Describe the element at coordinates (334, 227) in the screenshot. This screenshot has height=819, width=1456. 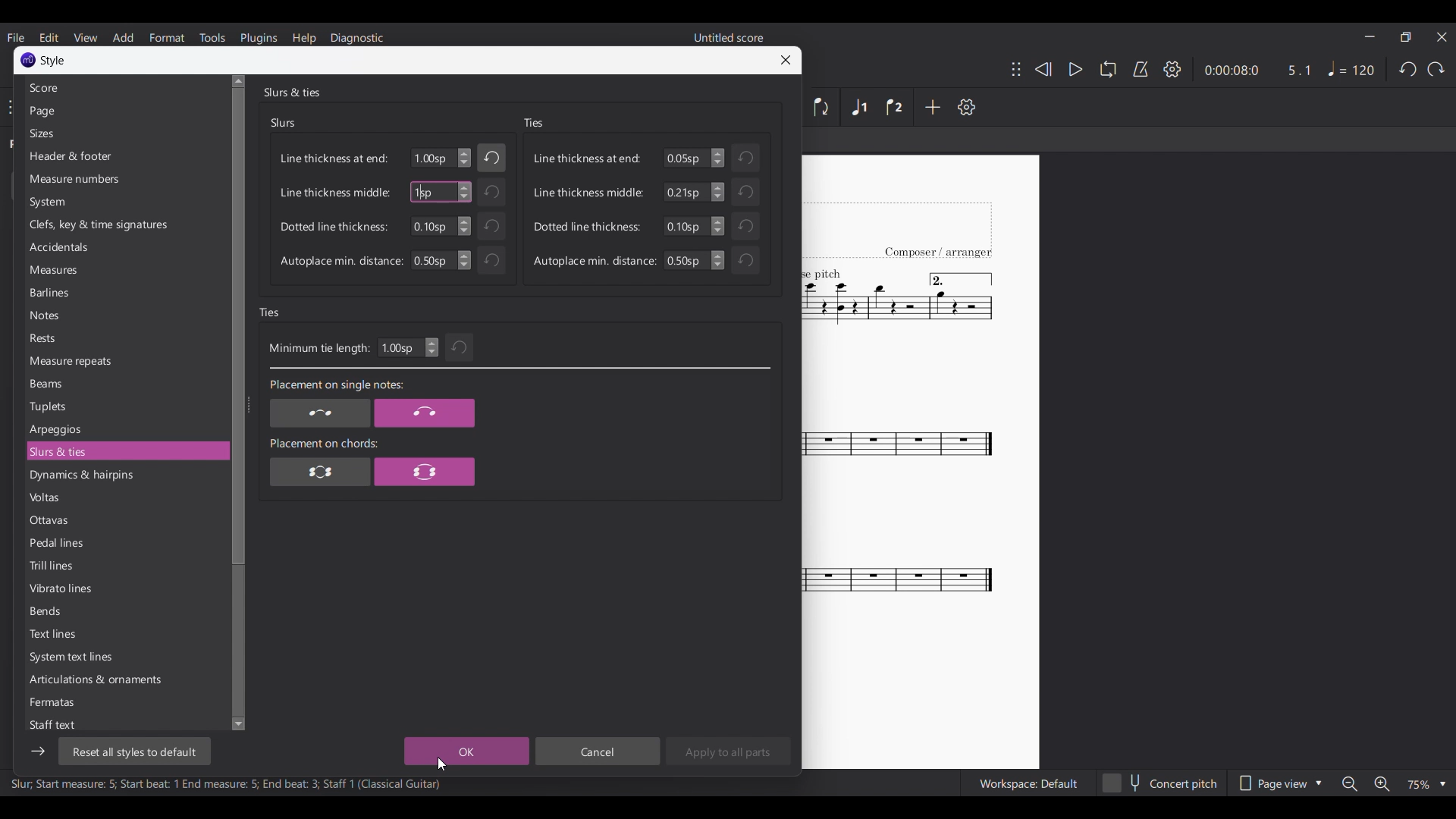
I see `Dotted line thickness` at that location.